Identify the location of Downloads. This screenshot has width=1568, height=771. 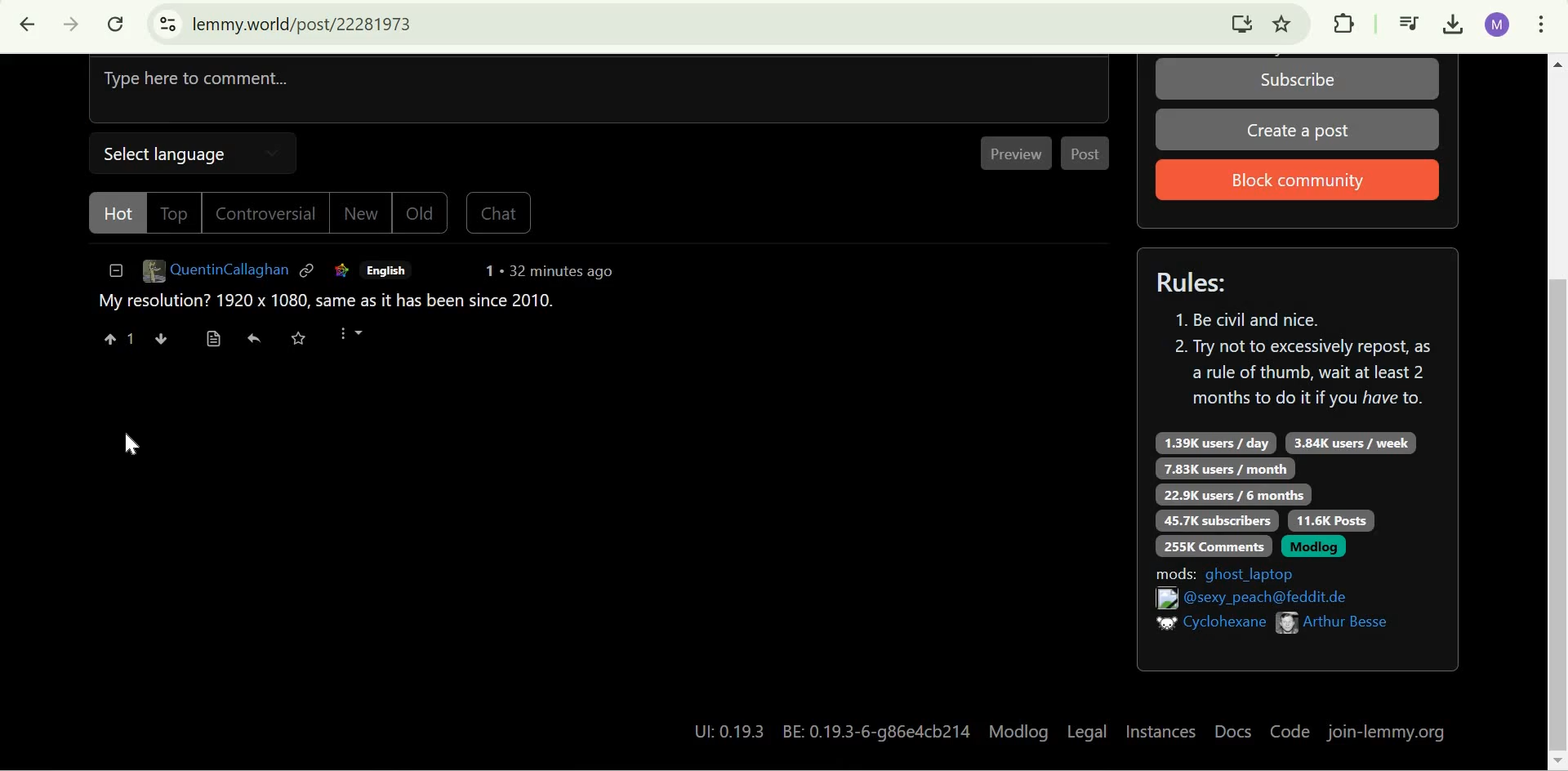
(1455, 25).